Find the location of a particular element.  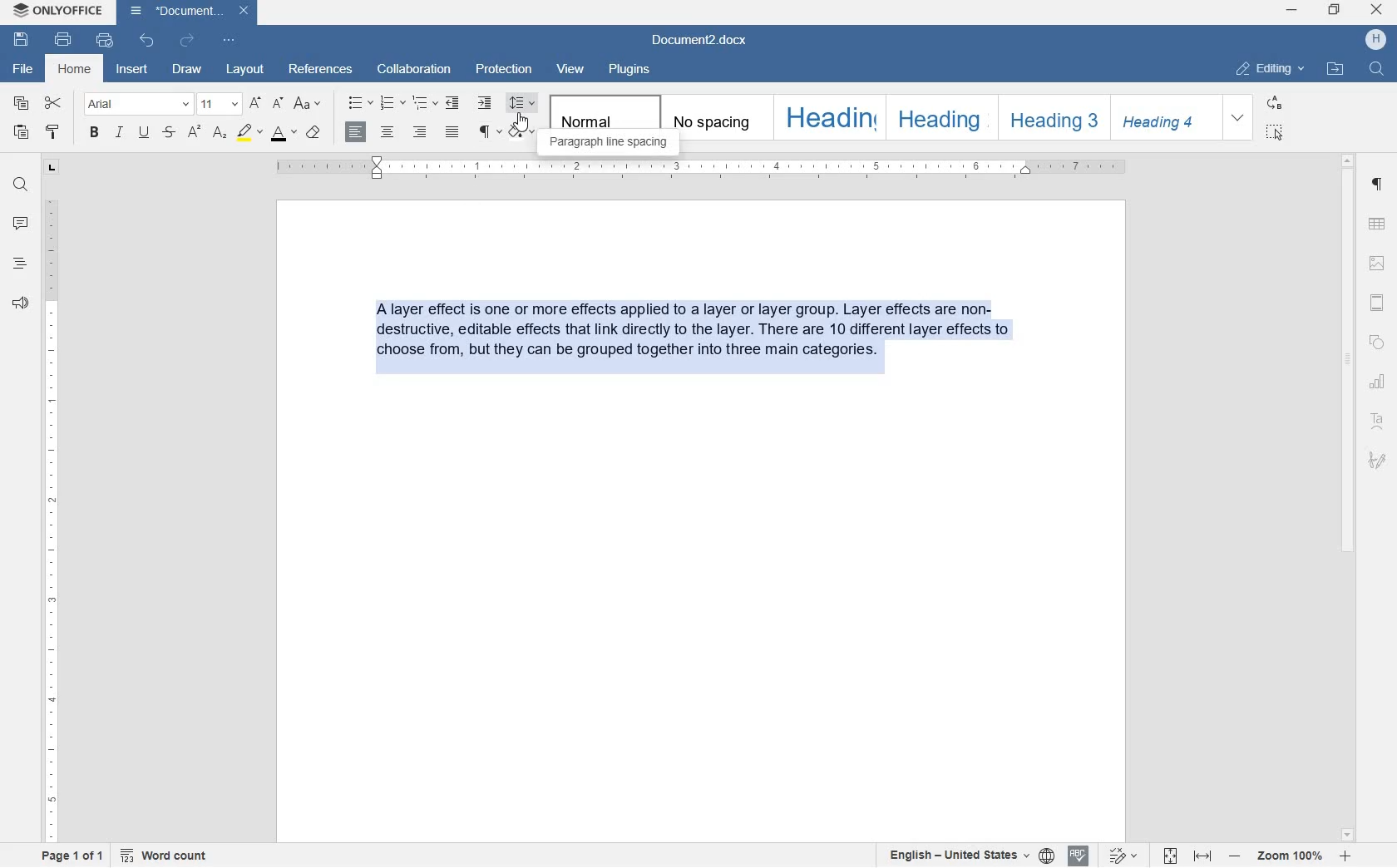

paragraph line spacing is located at coordinates (522, 104).